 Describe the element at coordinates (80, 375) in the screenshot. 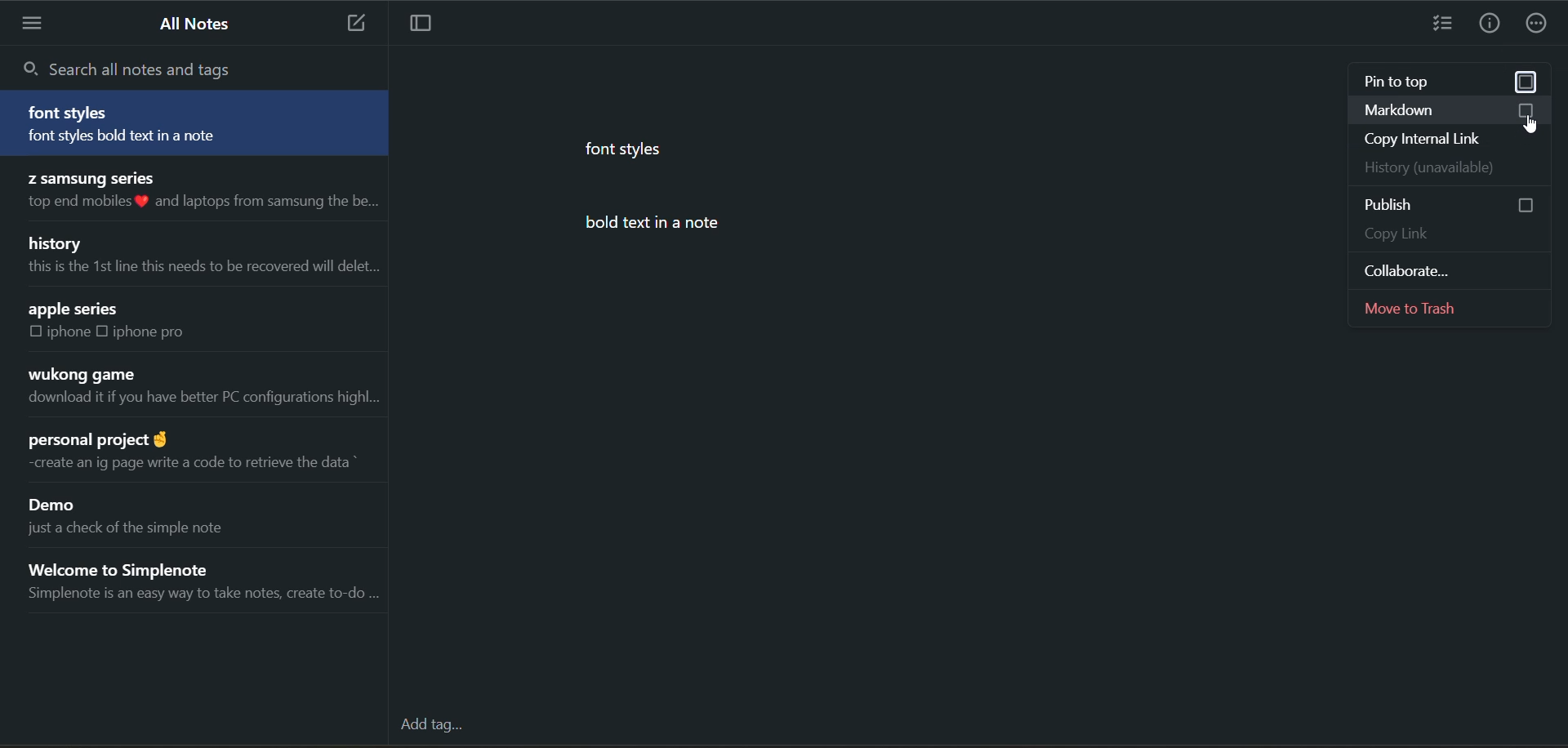

I see `wukong game` at that location.